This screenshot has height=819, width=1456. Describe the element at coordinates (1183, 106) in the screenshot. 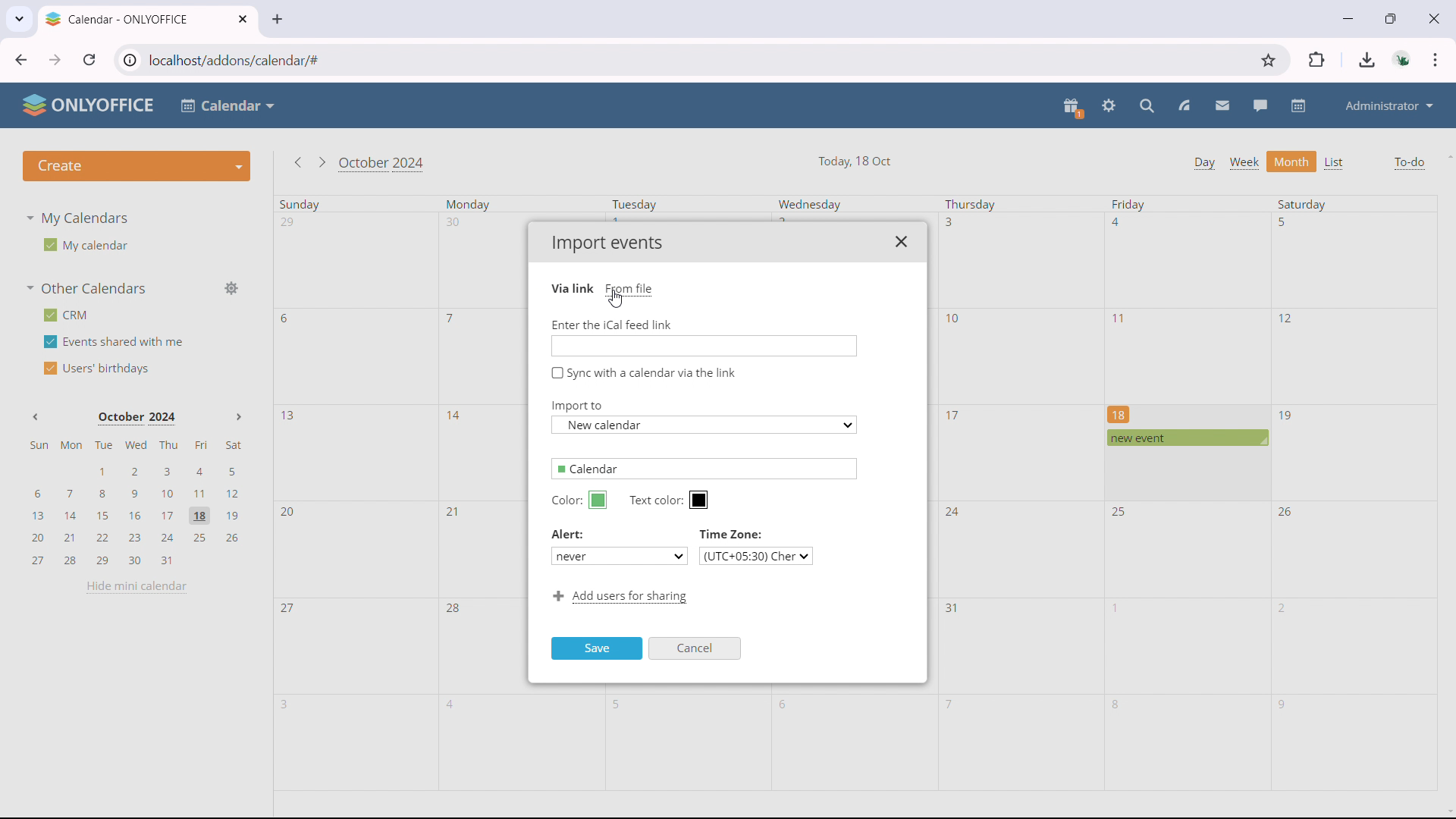

I see `feed` at that location.